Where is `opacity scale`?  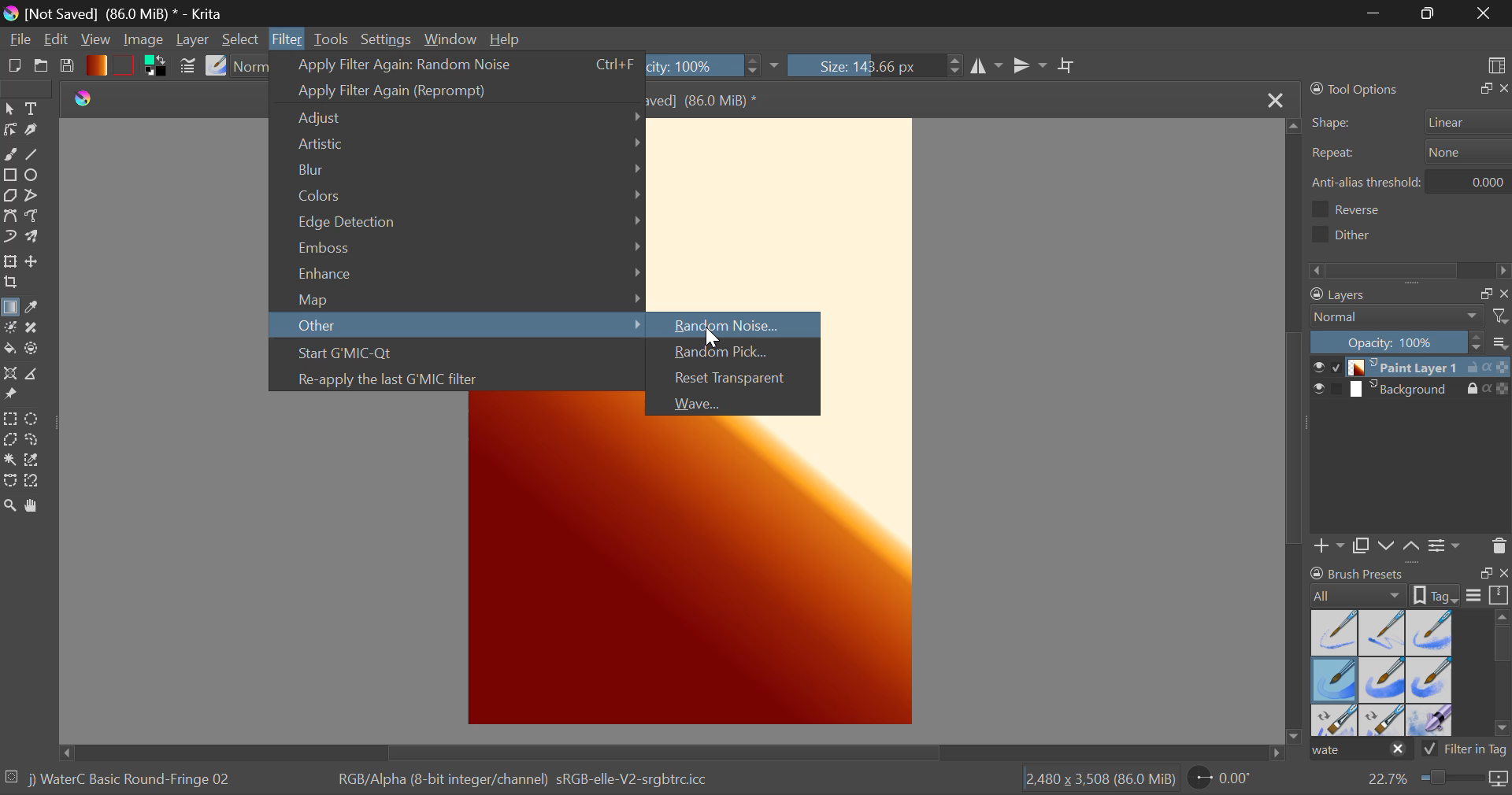 opacity scale is located at coordinates (1397, 342).